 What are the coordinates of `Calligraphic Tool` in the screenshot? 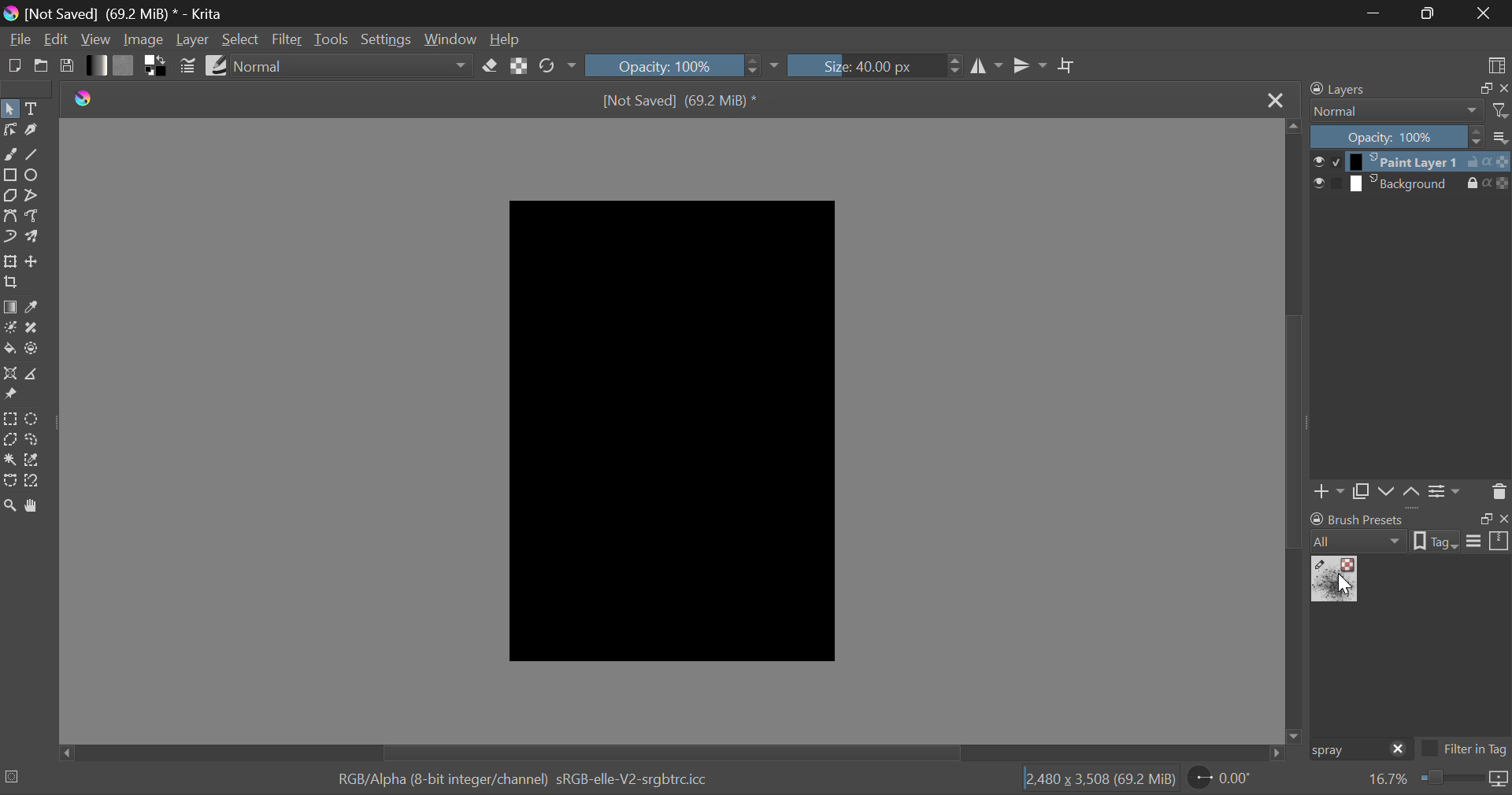 It's located at (34, 130).